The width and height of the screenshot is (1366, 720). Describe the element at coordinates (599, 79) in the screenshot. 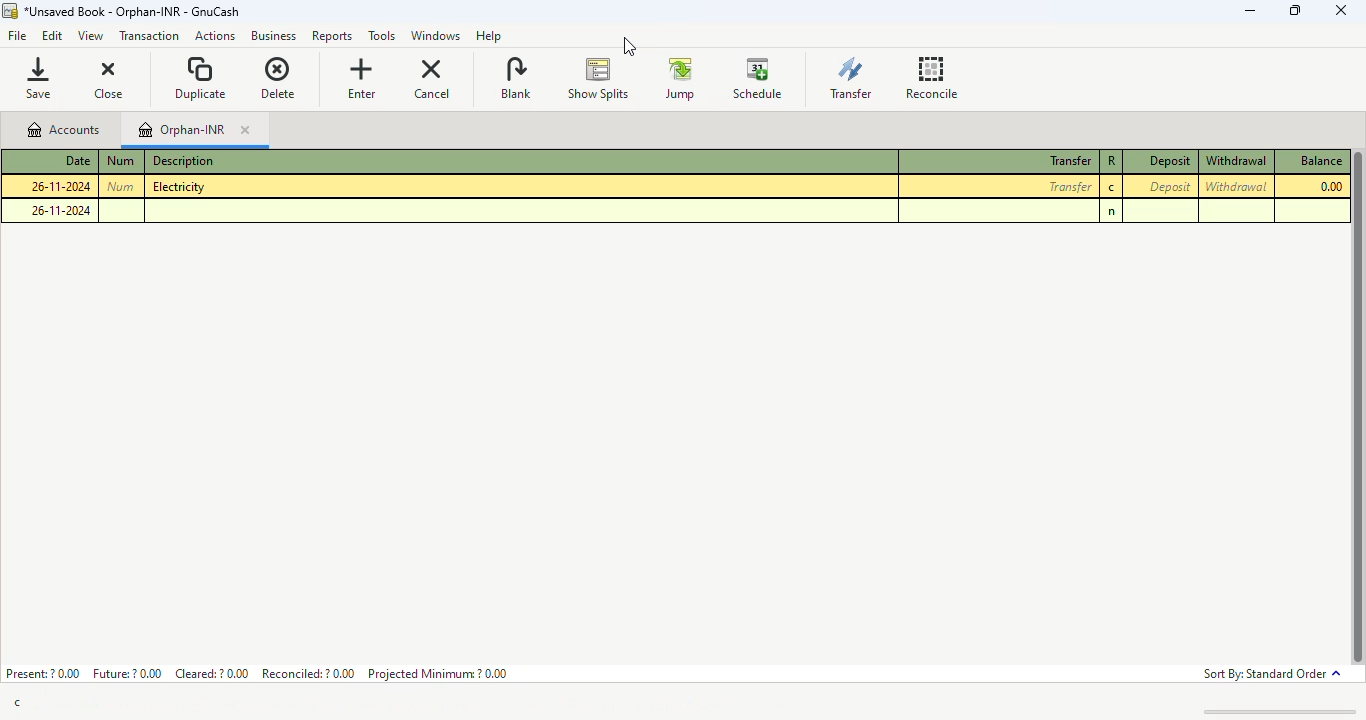

I see `show splits` at that location.